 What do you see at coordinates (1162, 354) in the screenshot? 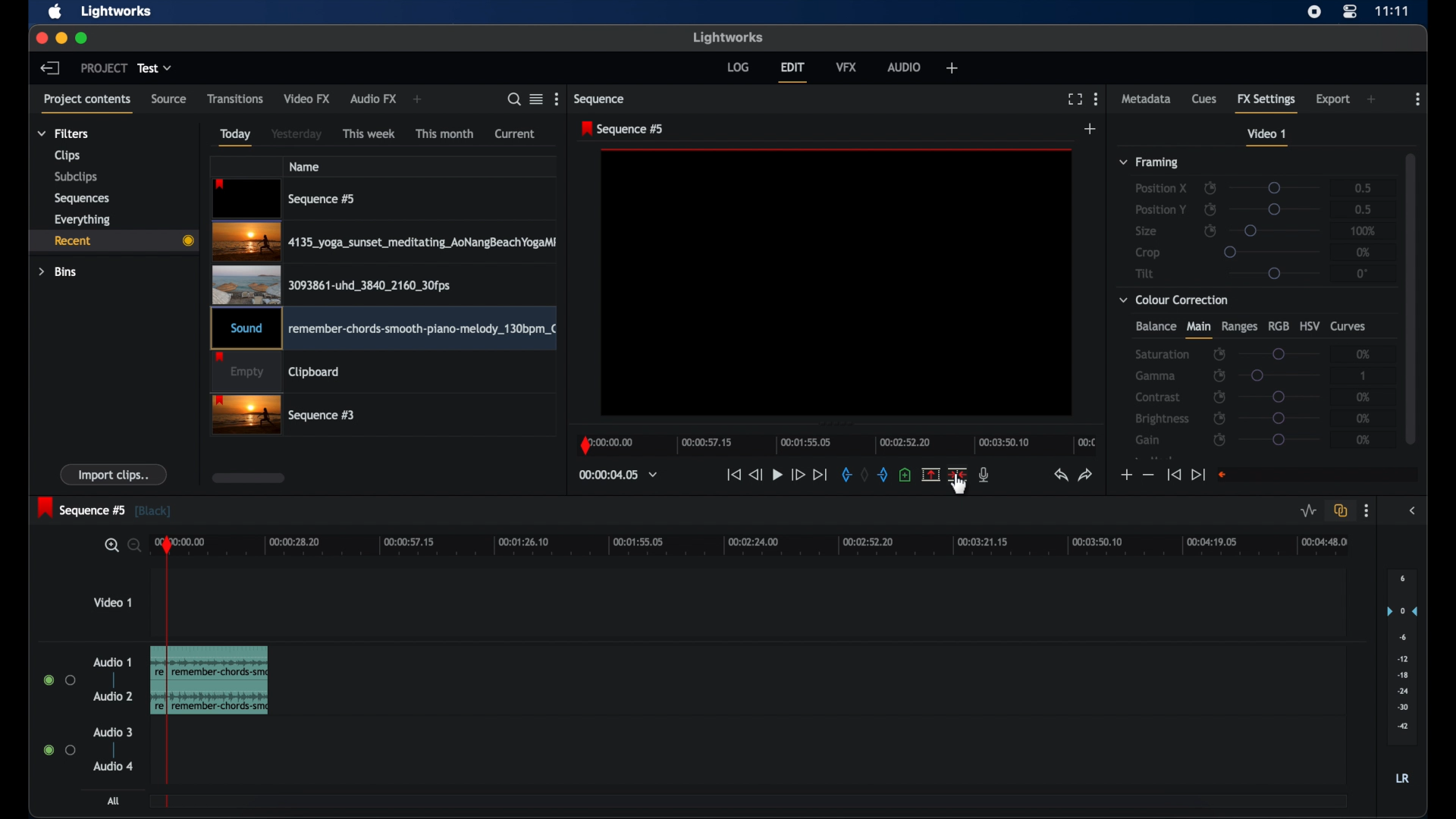
I see `saturation` at bounding box center [1162, 354].